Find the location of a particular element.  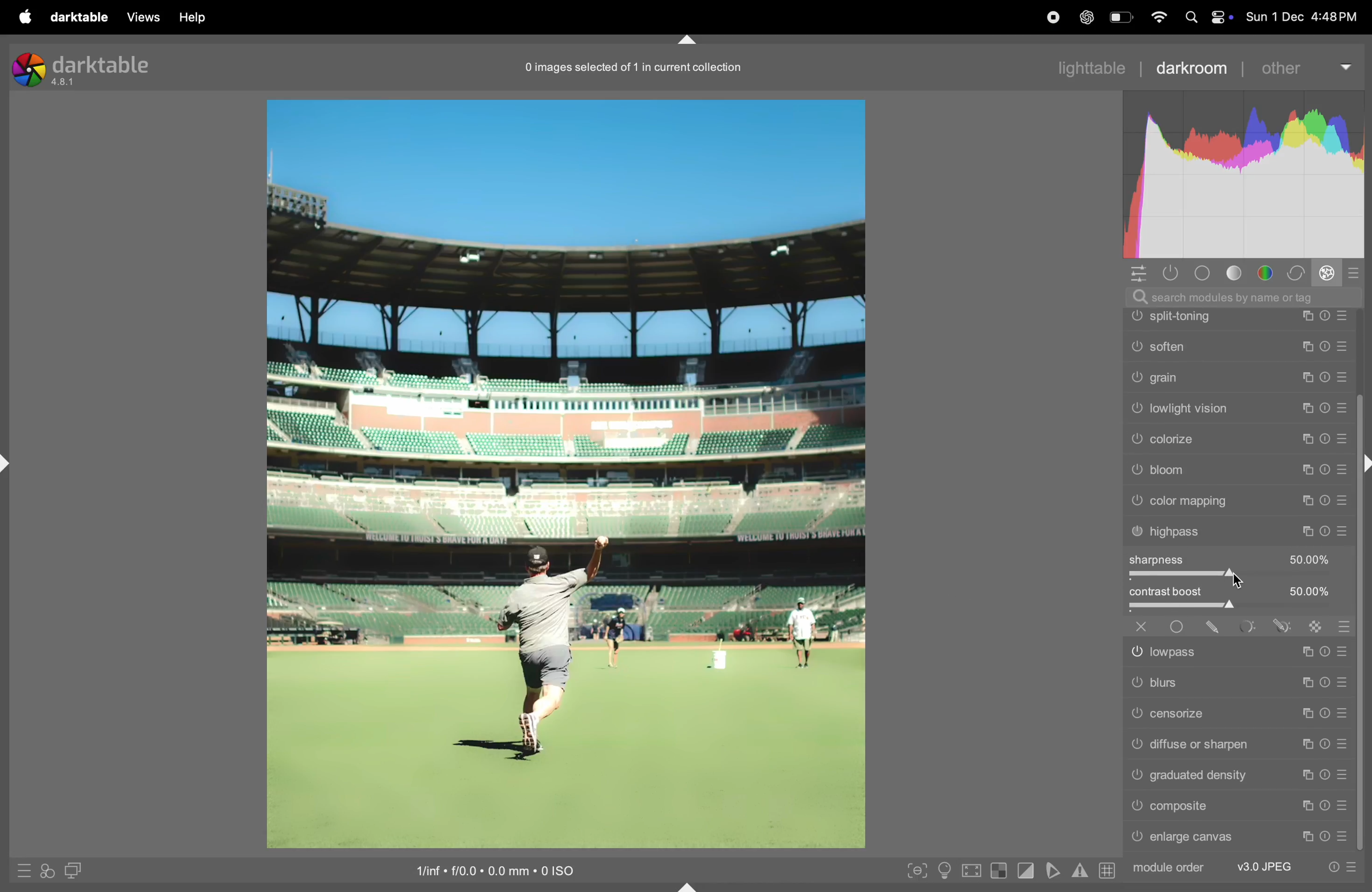

preset options is located at coordinates (1342, 867).